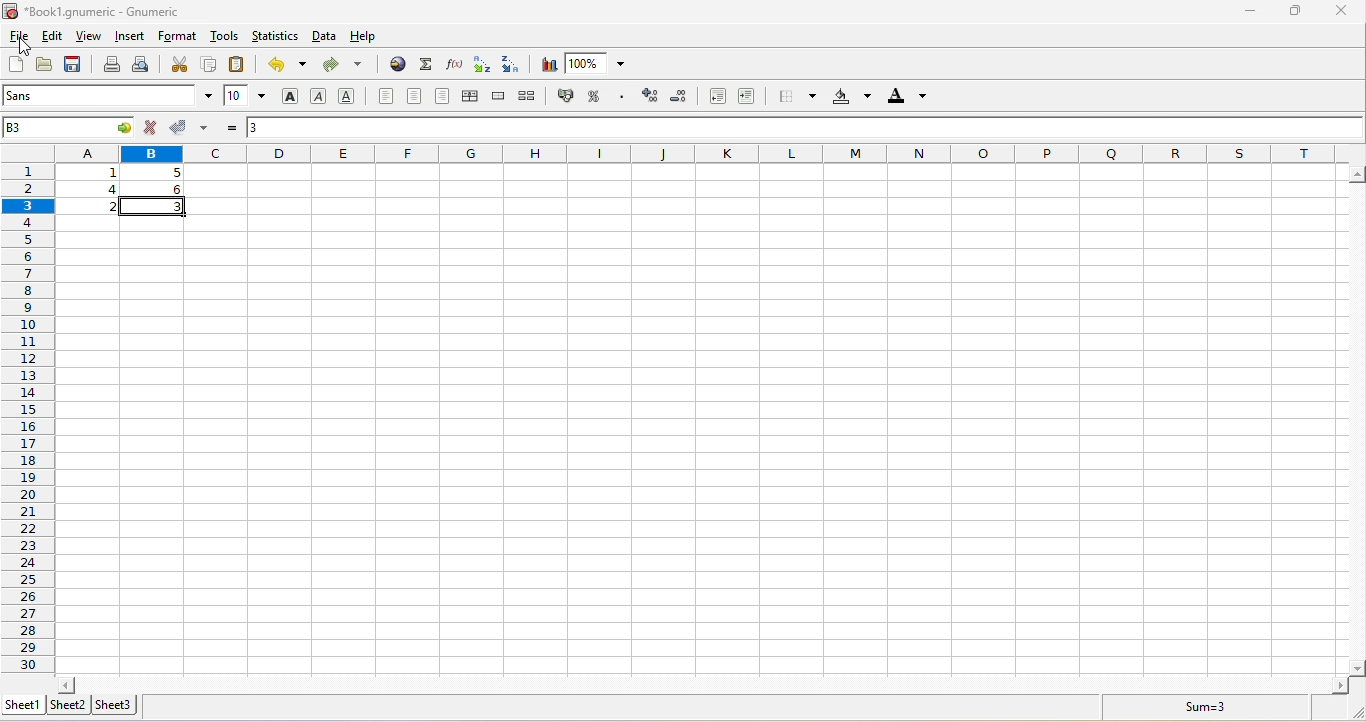  I want to click on column headings, so click(709, 152).